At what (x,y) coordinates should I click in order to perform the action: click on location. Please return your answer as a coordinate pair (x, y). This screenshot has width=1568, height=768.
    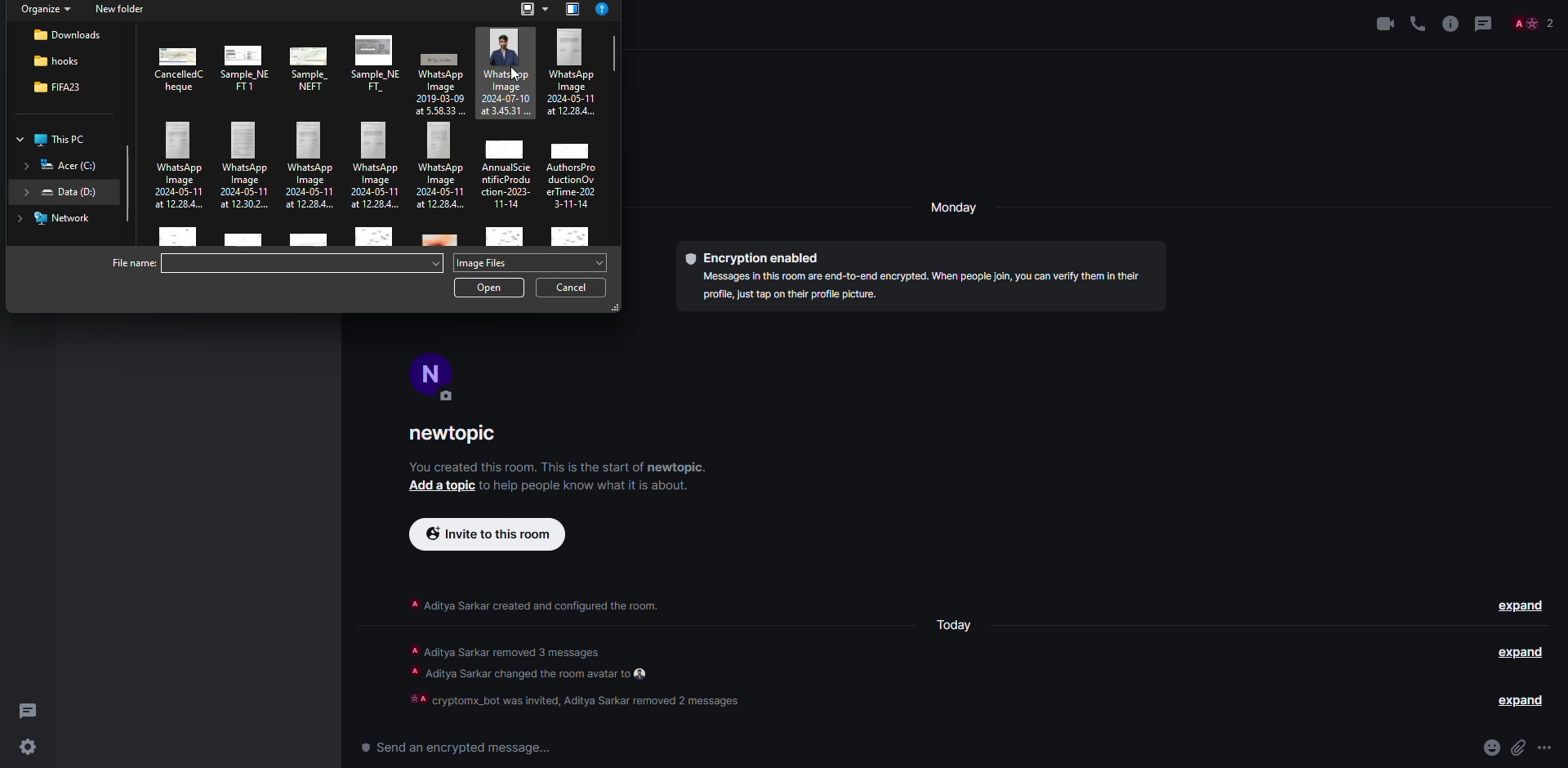
    Looking at the image, I should click on (60, 191).